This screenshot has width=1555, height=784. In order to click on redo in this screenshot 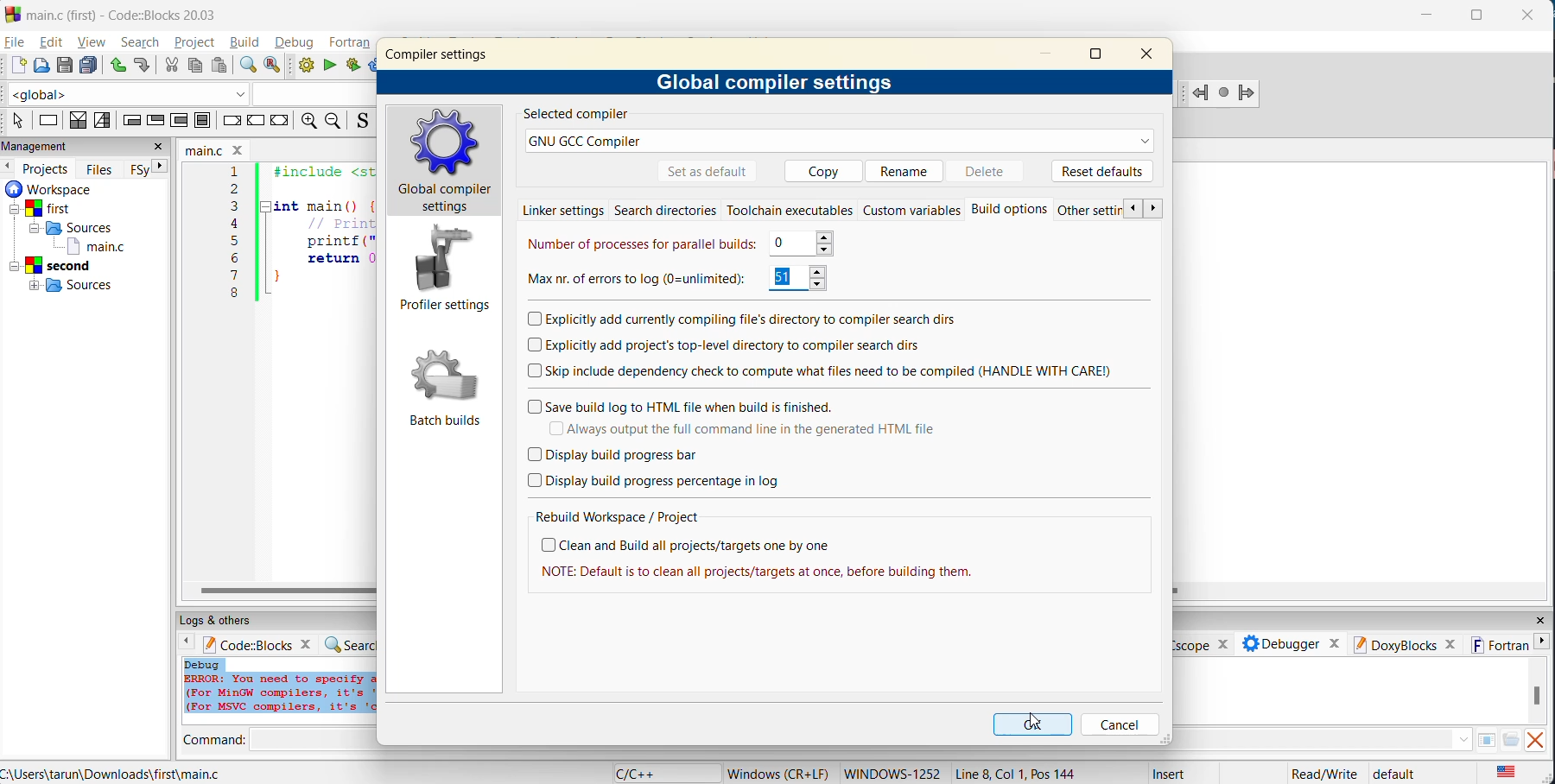, I will do `click(143, 66)`.